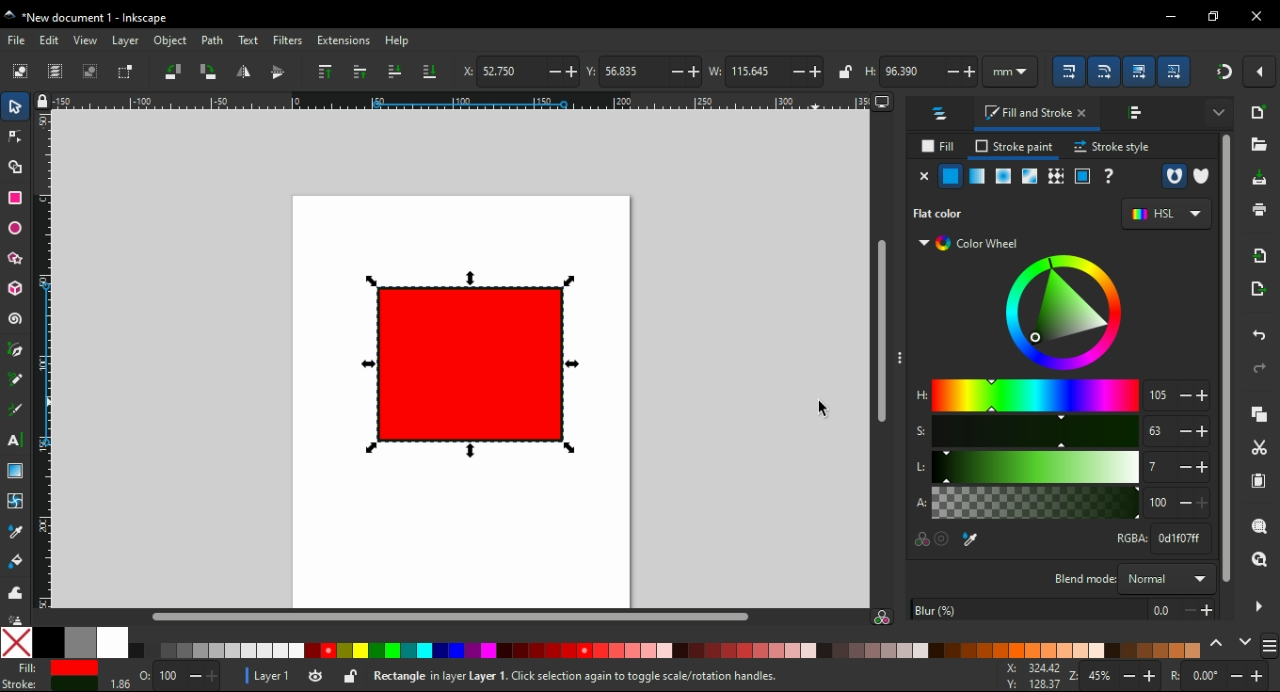  Describe the element at coordinates (588, 71) in the screenshot. I see `vertical coordinates of selection` at that location.